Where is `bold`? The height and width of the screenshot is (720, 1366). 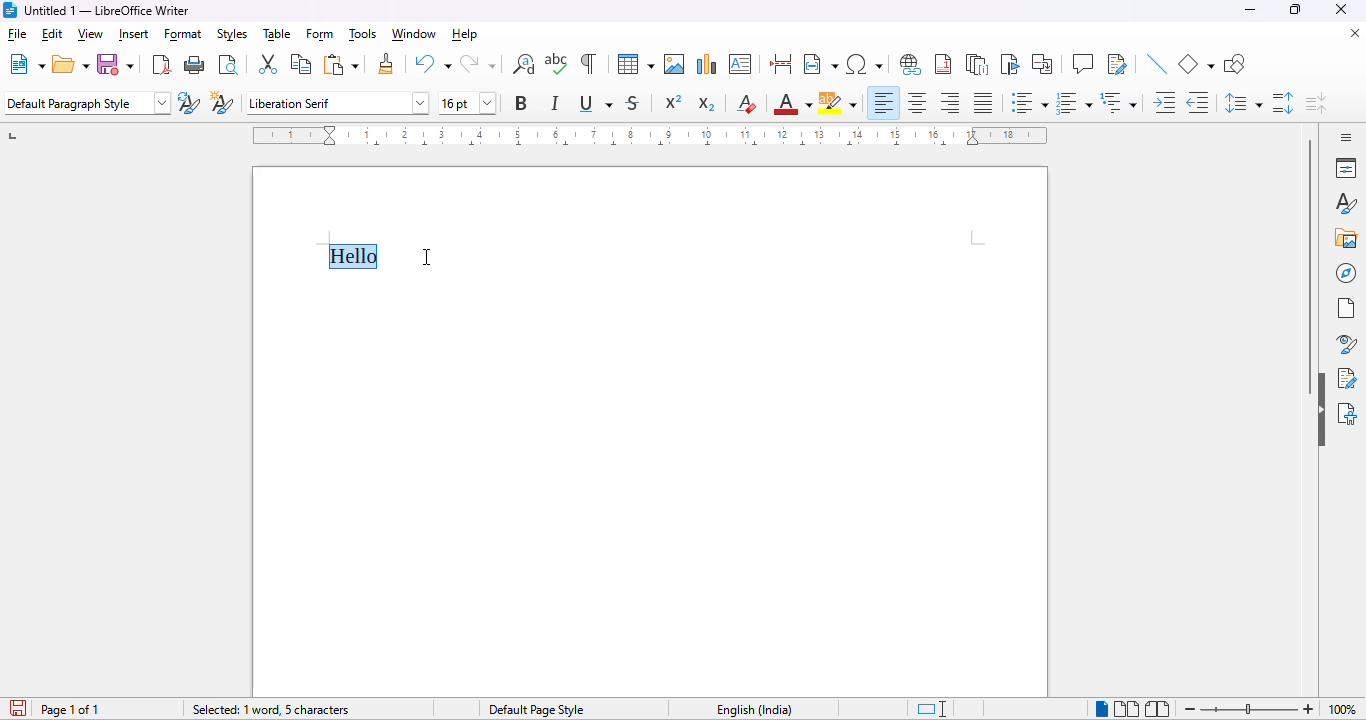
bold is located at coordinates (522, 103).